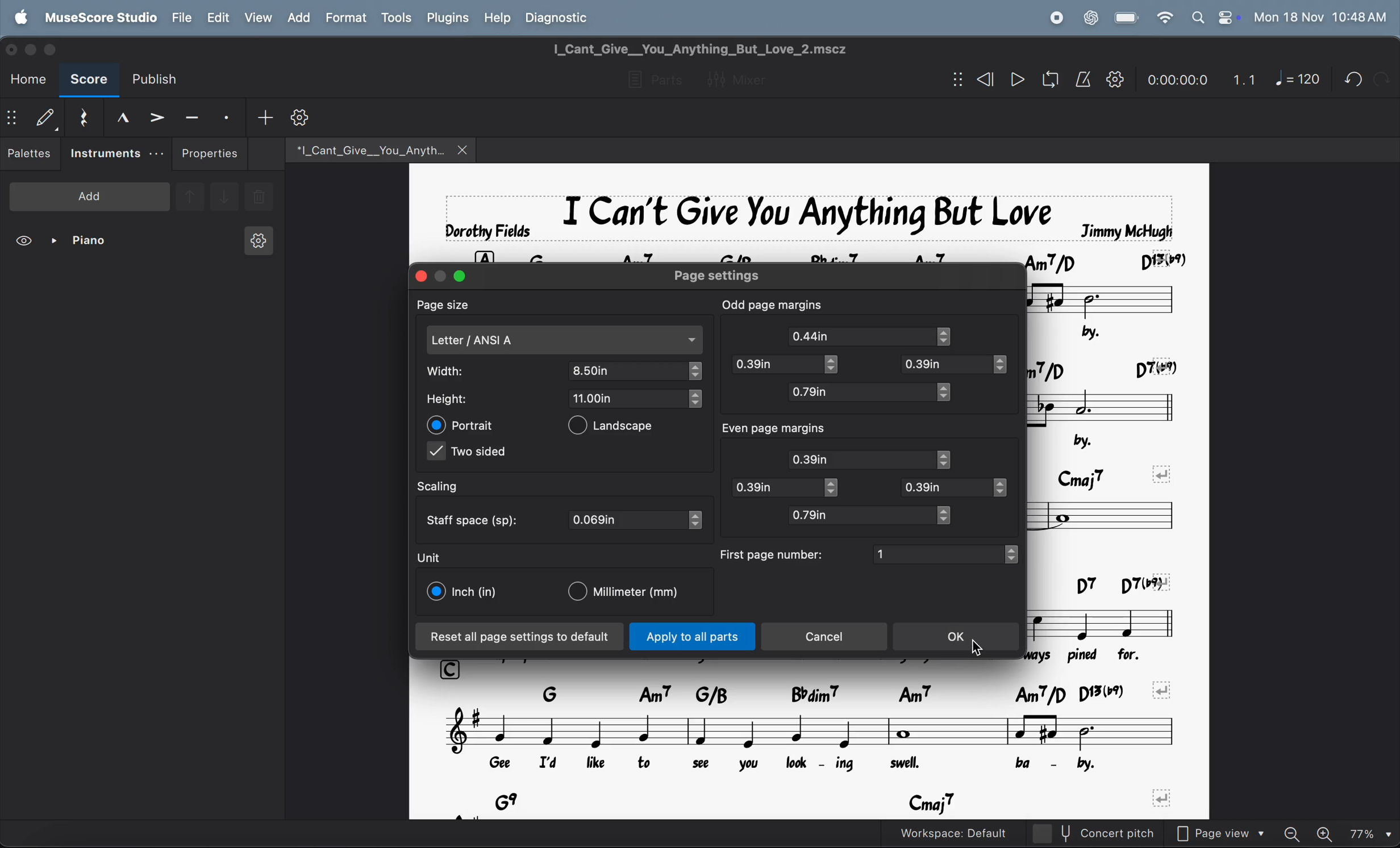 Image resolution: width=1400 pixels, height=848 pixels. What do you see at coordinates (1016, 554) in the screenshot?
I see `toggle` at bounding box center [1016, 554].